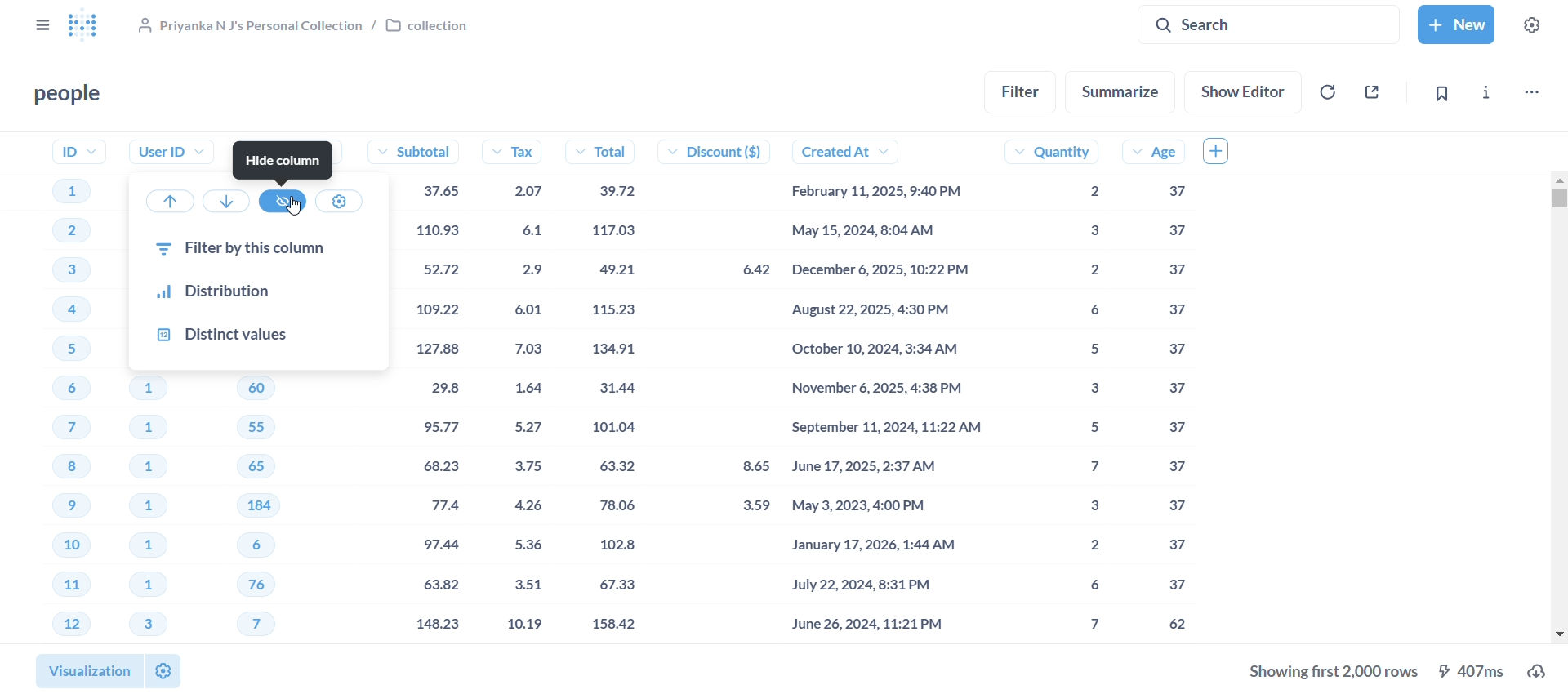 The height and width of the screenshot is (694, 1568). Describe the element at coordinates (294, 205) in the screenshot. I see `Cursor` at that location.